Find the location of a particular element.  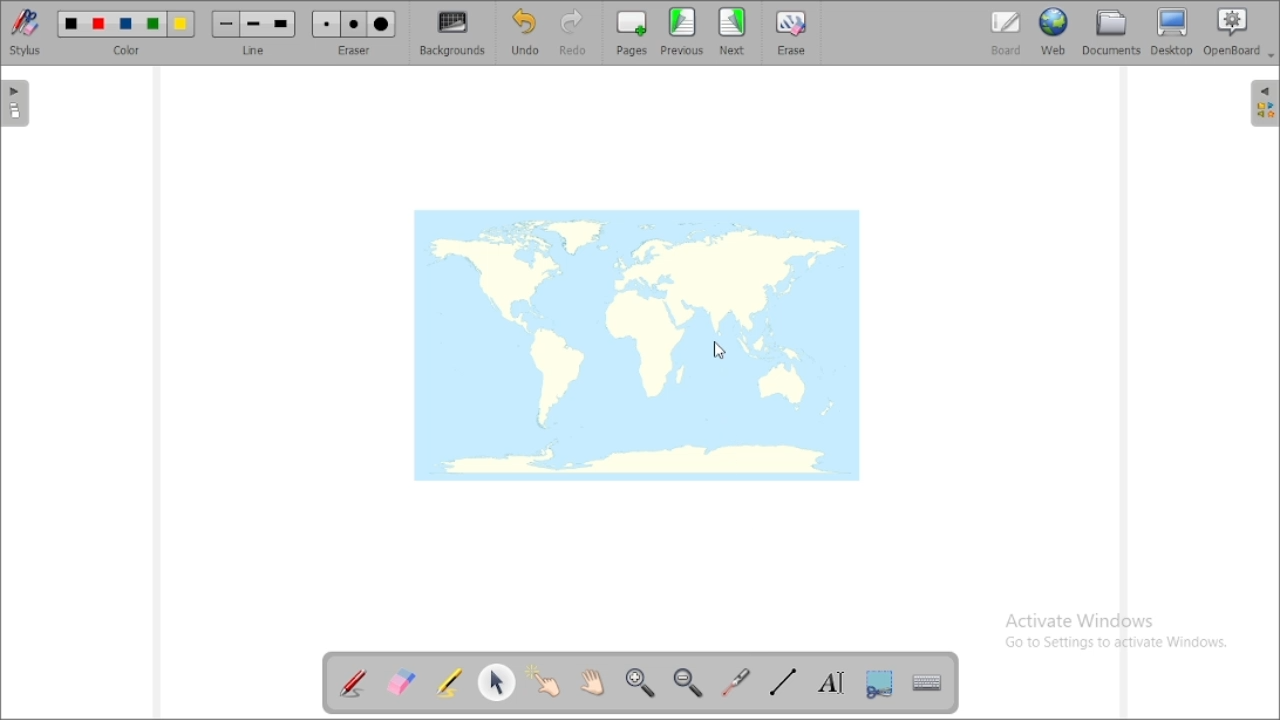

select and modify objects is located at coordinates (497, 682).